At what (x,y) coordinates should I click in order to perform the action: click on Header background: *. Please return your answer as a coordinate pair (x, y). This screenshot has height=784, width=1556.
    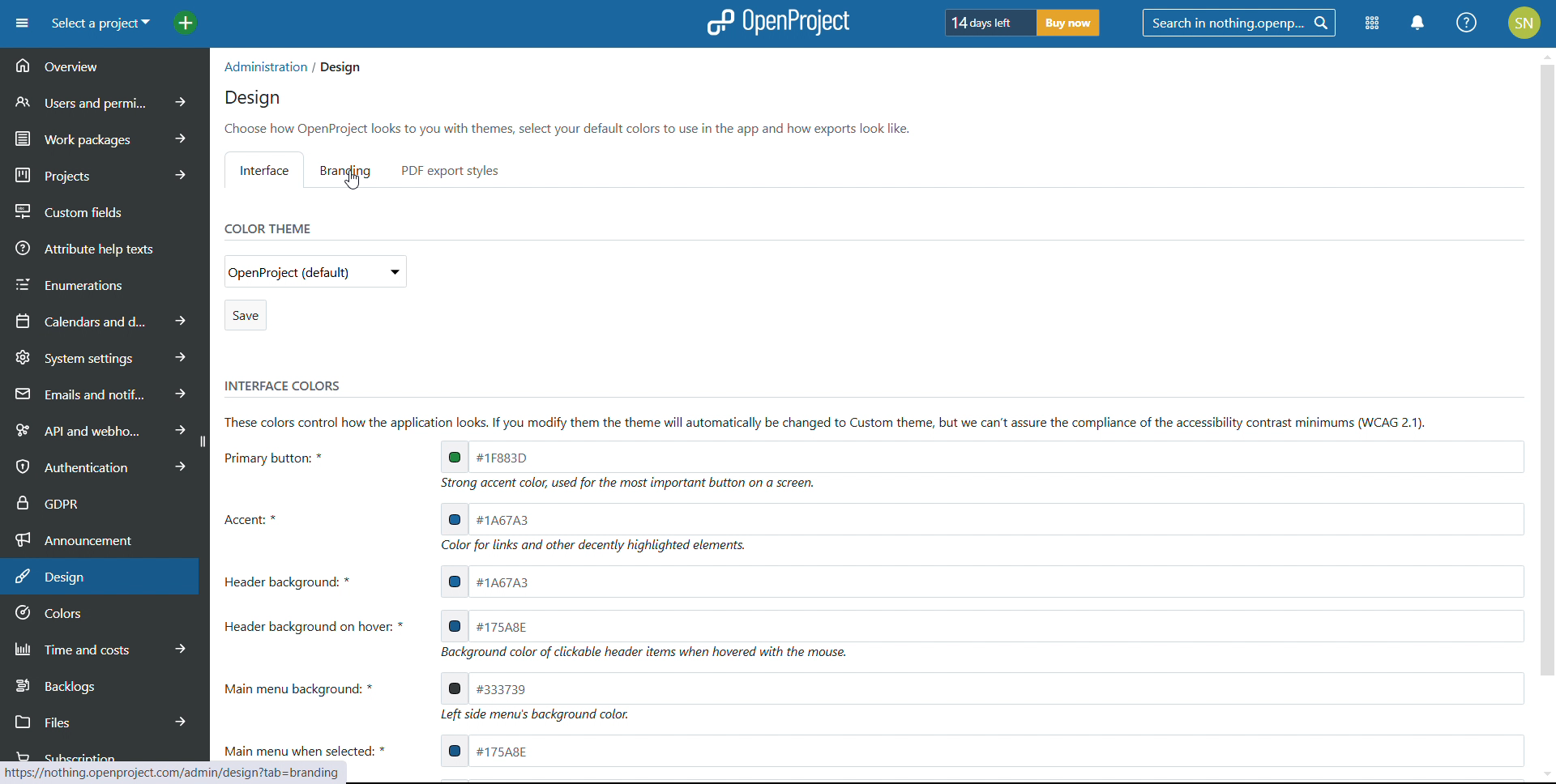
    Looking at the image, I should click on (291, 582).